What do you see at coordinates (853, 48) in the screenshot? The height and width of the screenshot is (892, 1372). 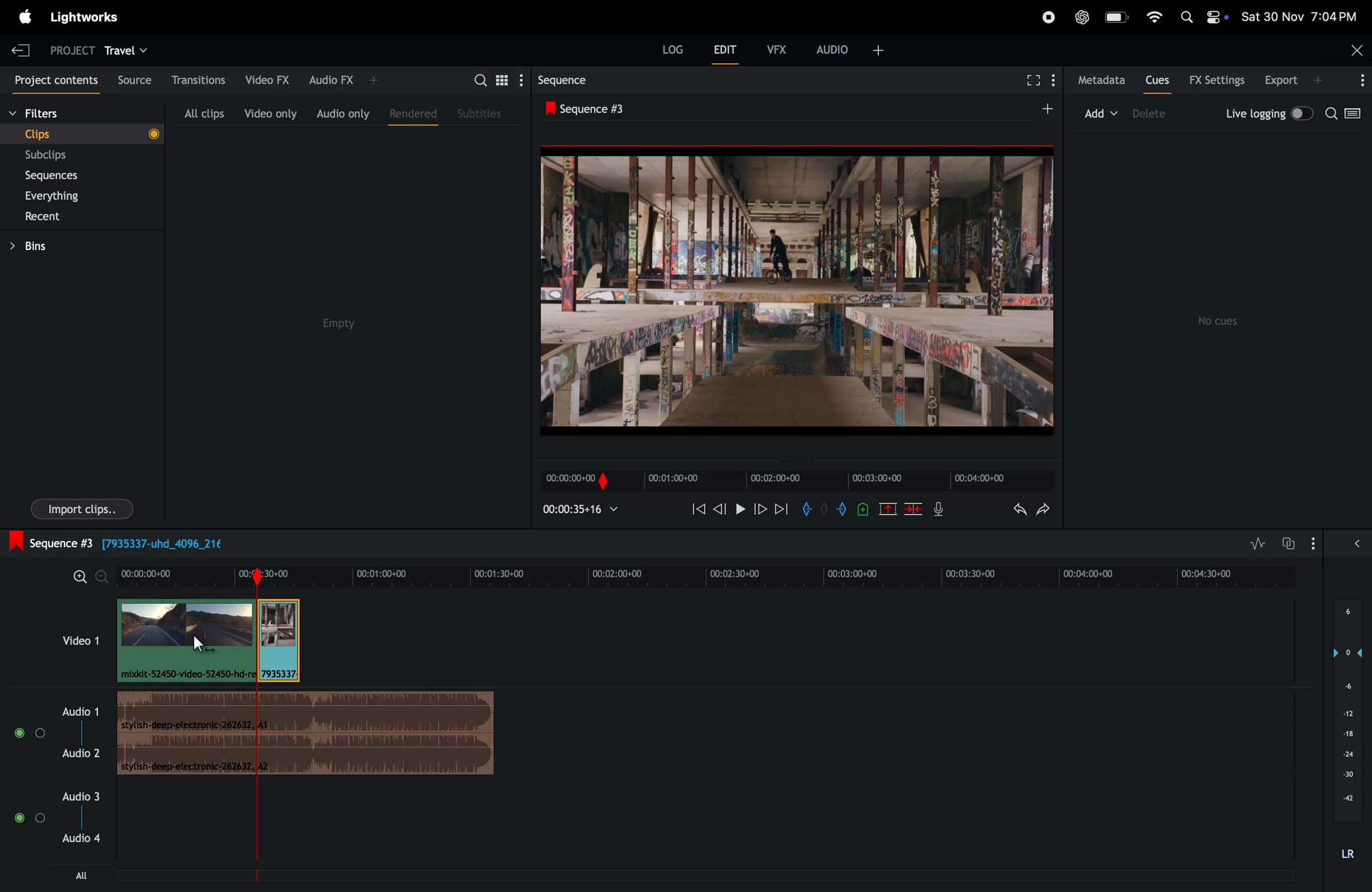 I see `audio +` at bounding box center [853, 48].